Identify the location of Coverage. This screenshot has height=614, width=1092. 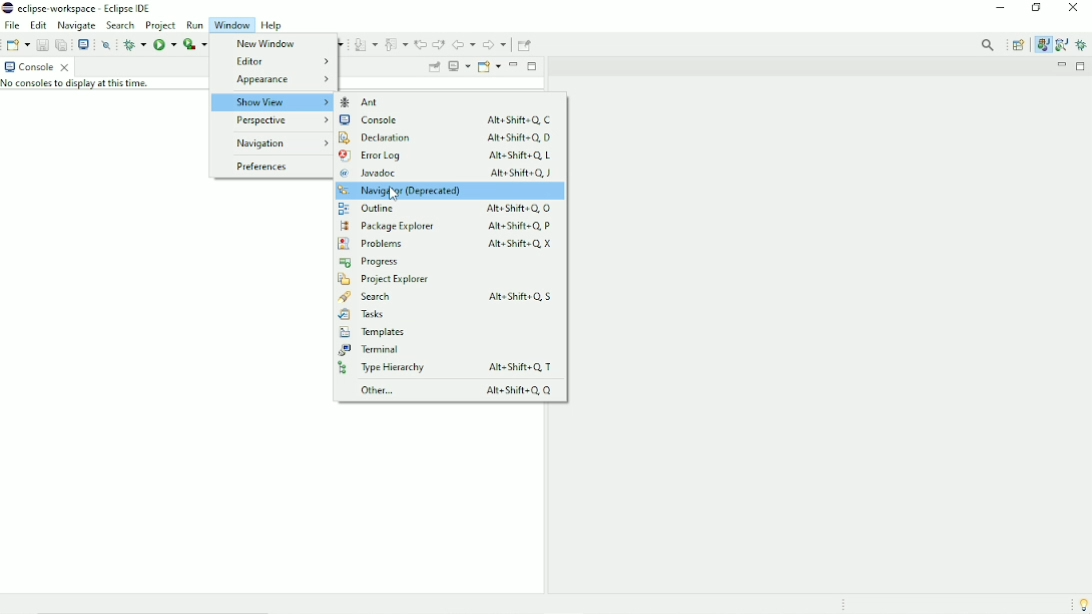
(194, 44).